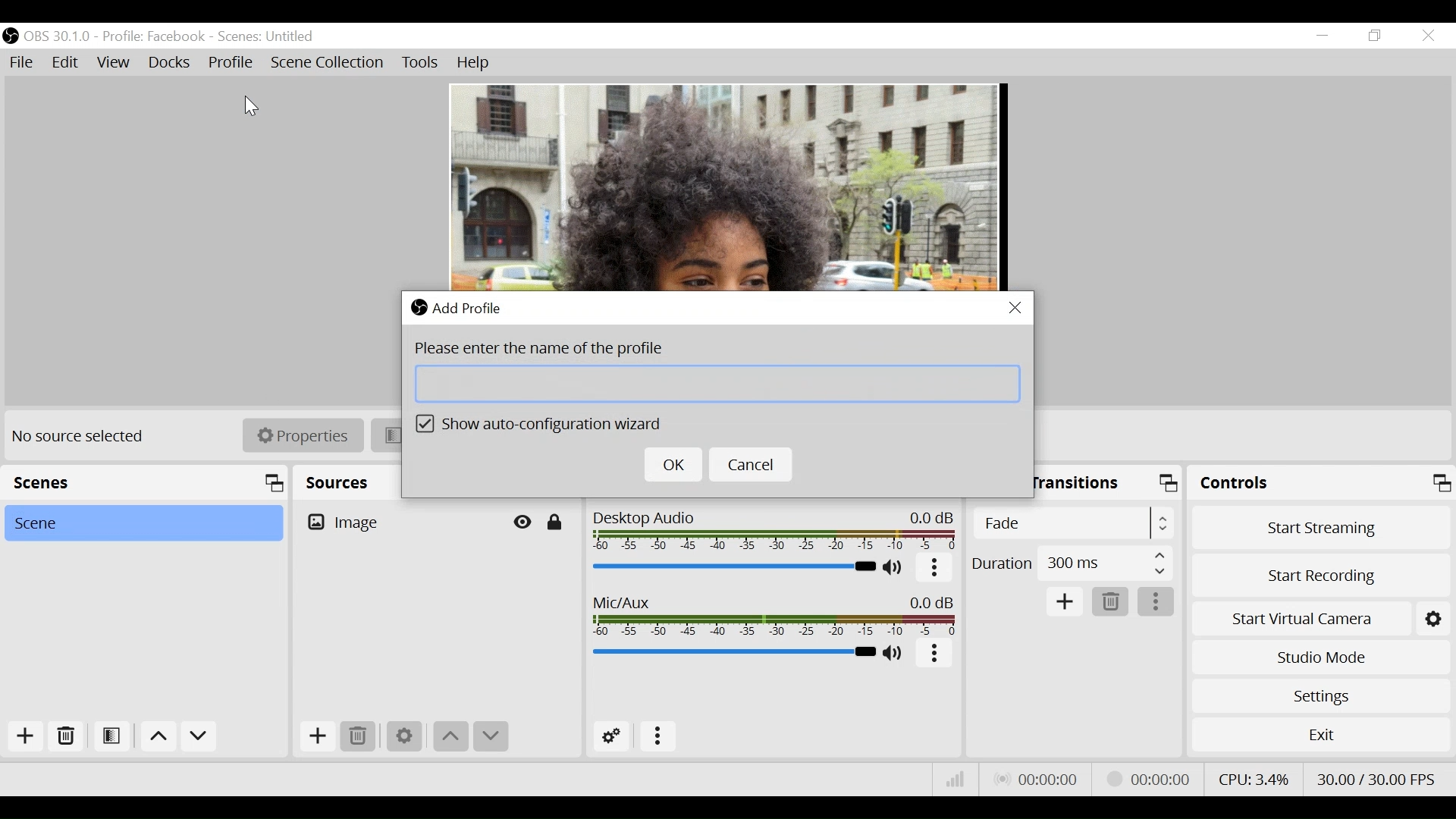 This screenshot has height=819, width=1456. I want to click on No source selected, so click(83, 437).